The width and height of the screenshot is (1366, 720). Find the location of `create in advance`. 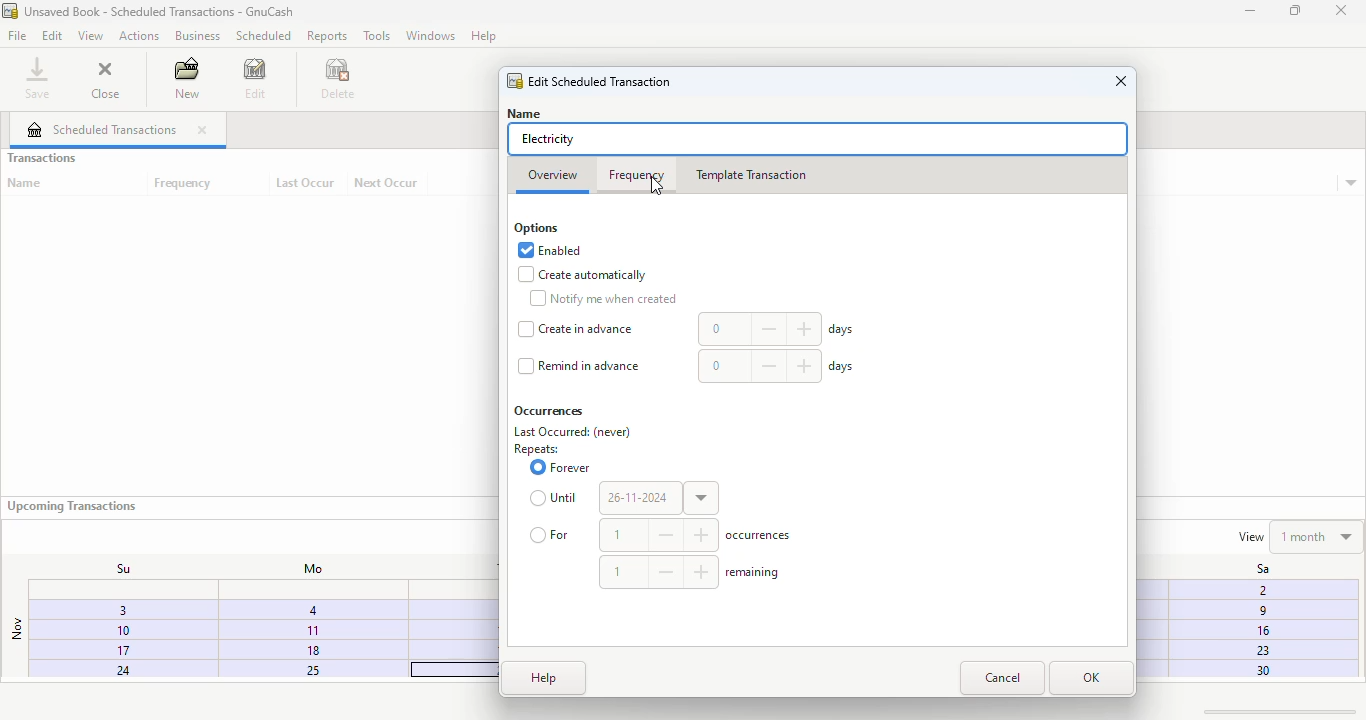

create in advance is located at coordinates (576, 329).